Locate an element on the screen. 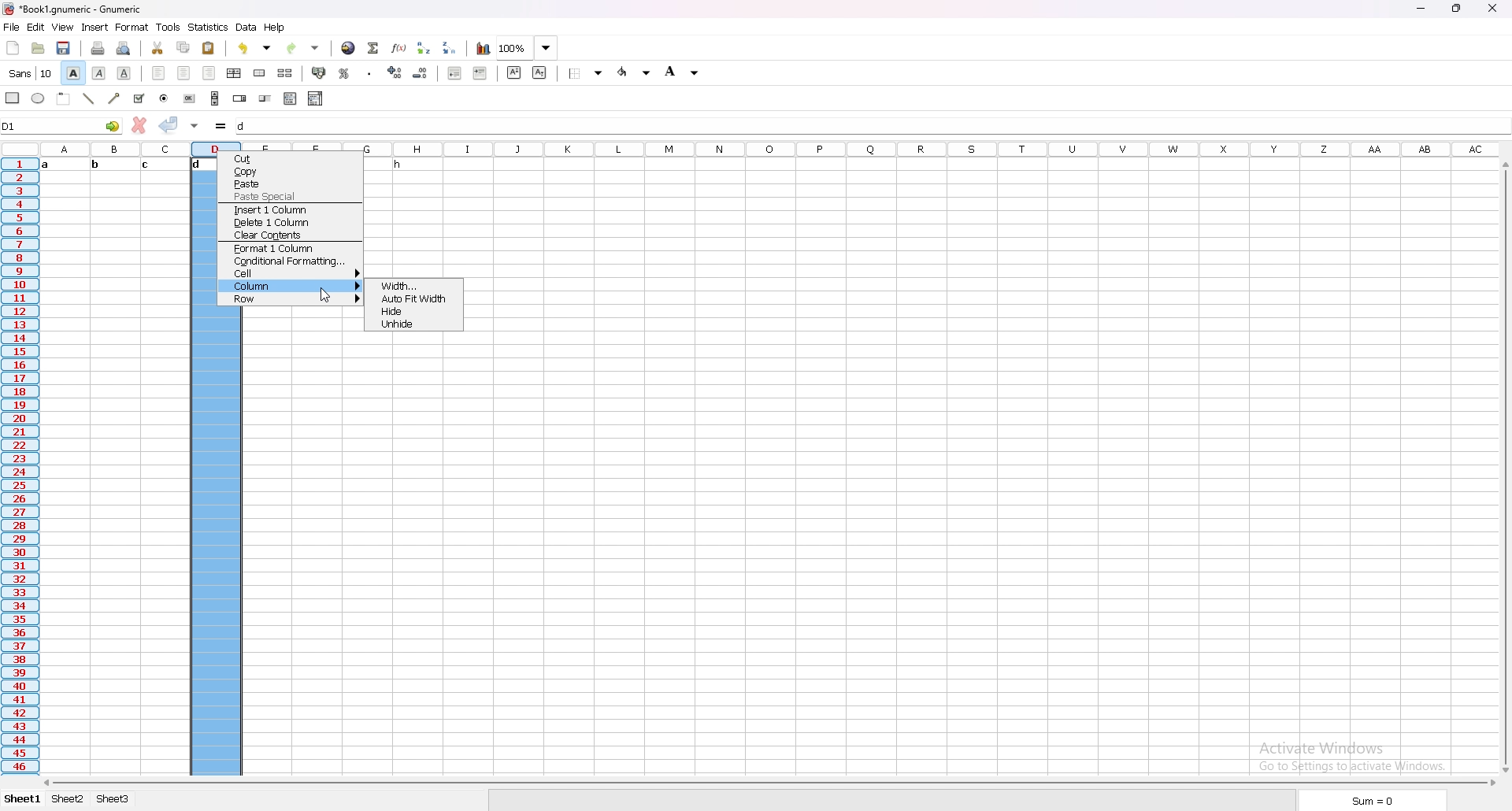 The height and width of the screenshot is (811, 1512). open is located at coordinates (38, 48).